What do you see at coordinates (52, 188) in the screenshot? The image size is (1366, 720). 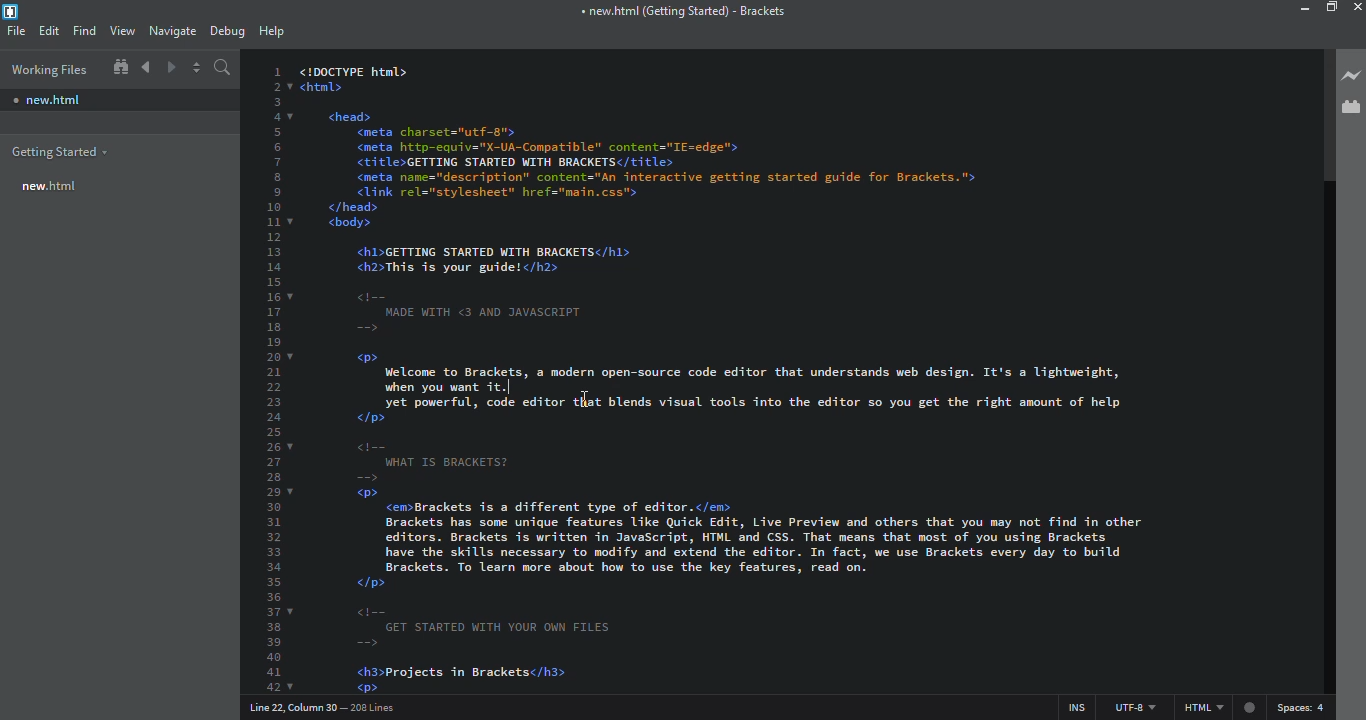 I see `new` at bounding box center [52, 188].